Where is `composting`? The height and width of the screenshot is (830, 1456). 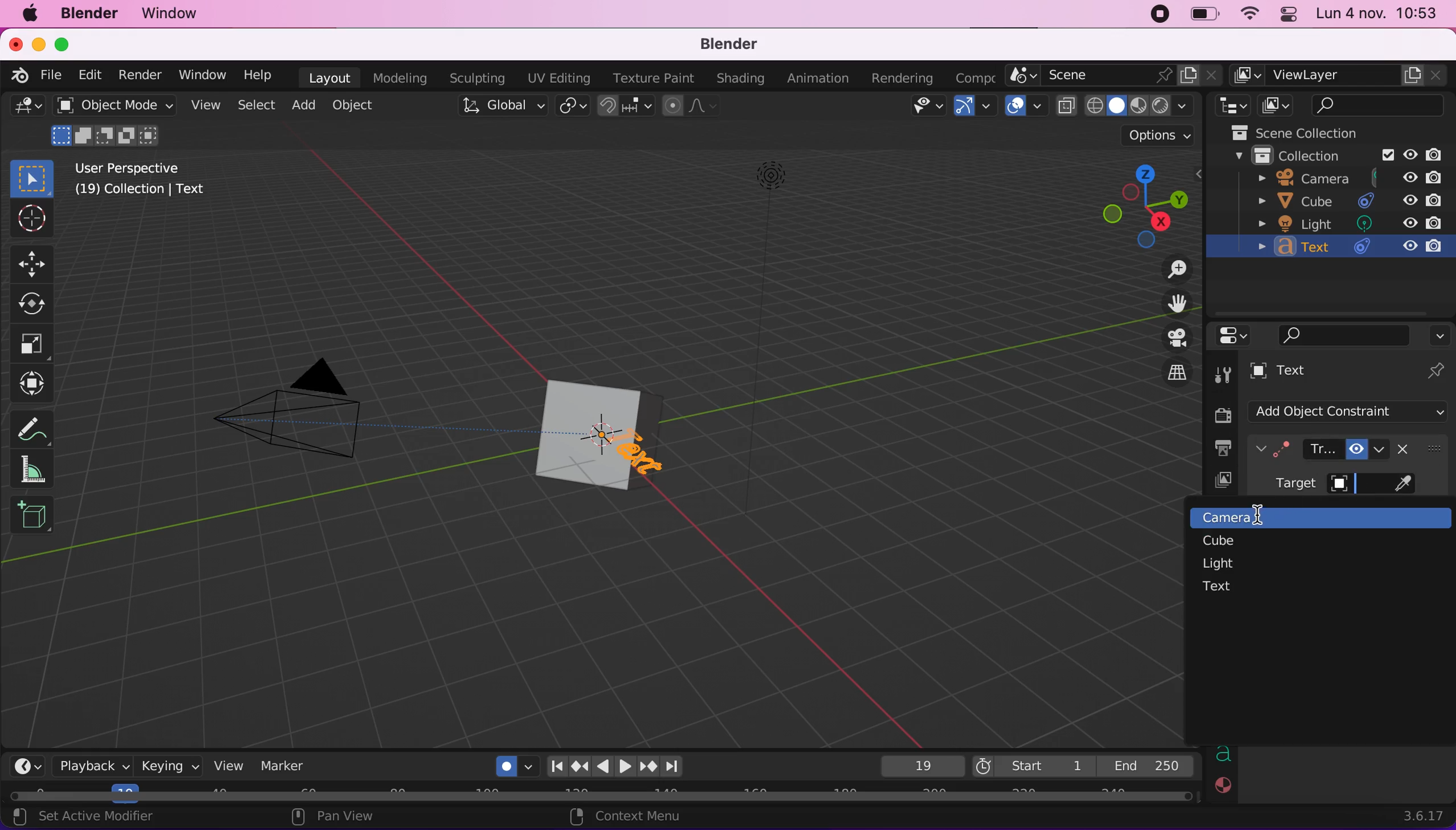 composting is located at coordinates (972, 76).